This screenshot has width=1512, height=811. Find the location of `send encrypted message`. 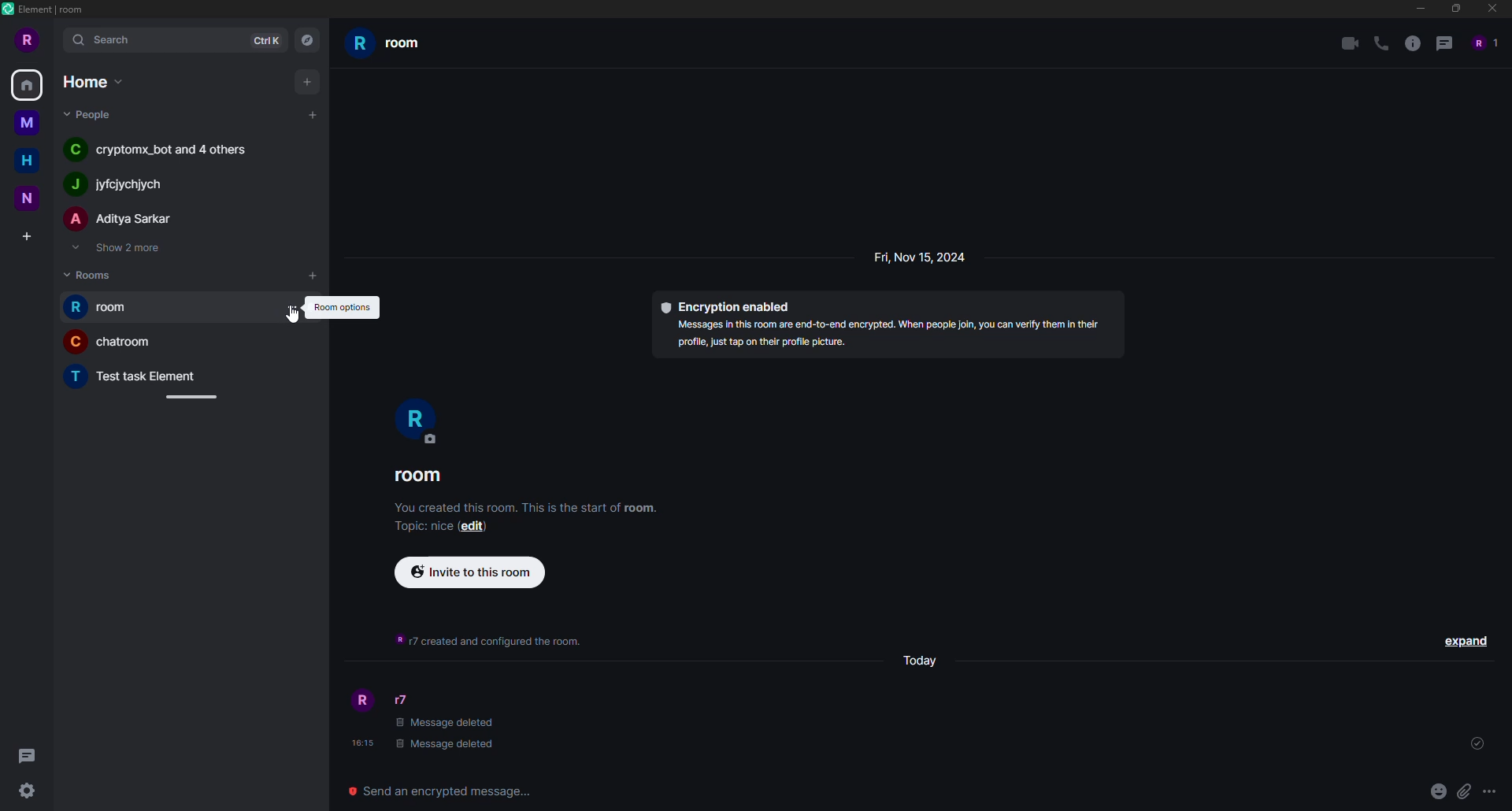

send encrypted message is located at coordinates (446, 789).